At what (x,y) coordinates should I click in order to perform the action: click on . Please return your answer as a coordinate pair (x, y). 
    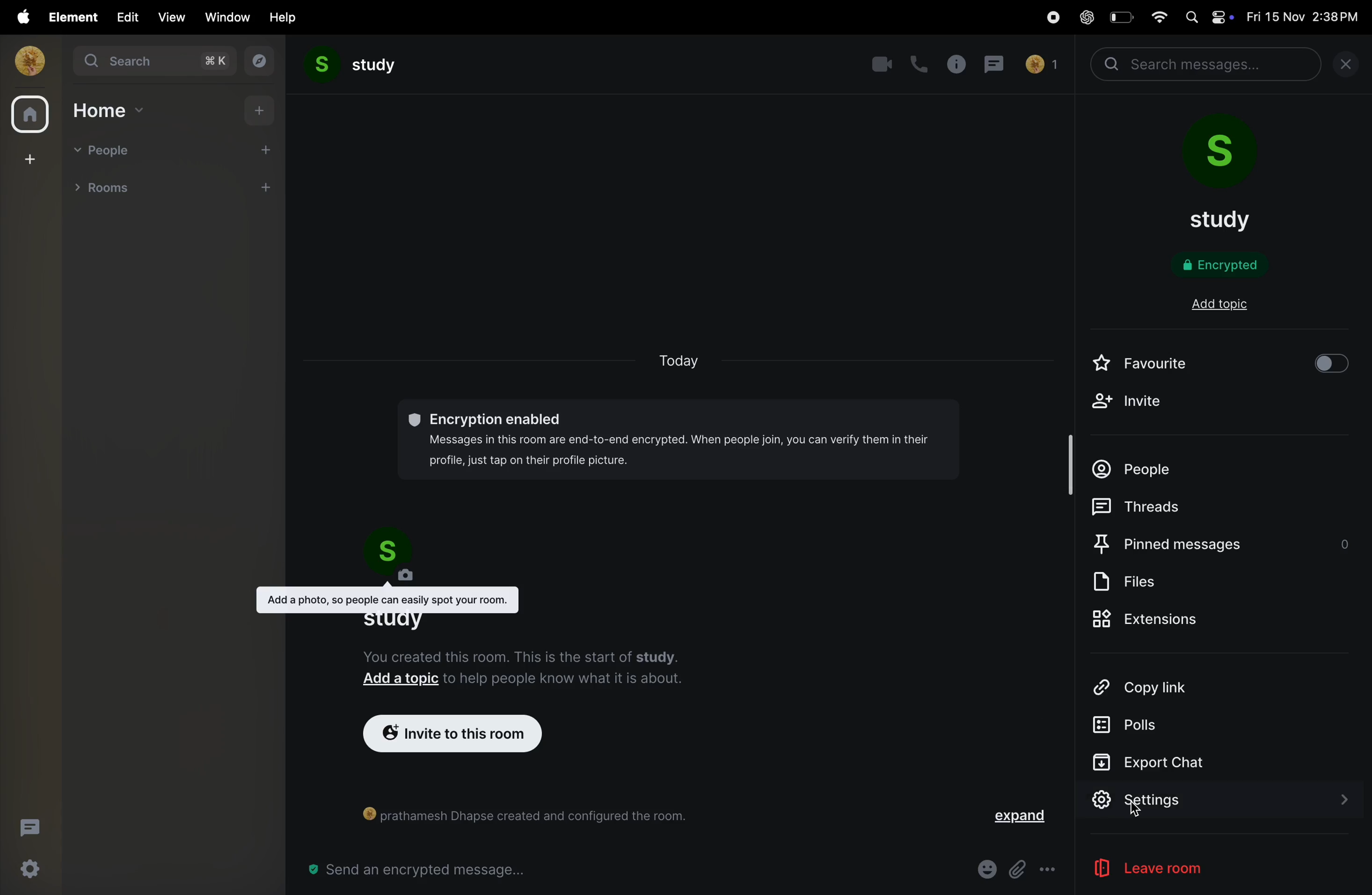
    Looking at the image, I should click on (1018, 869).